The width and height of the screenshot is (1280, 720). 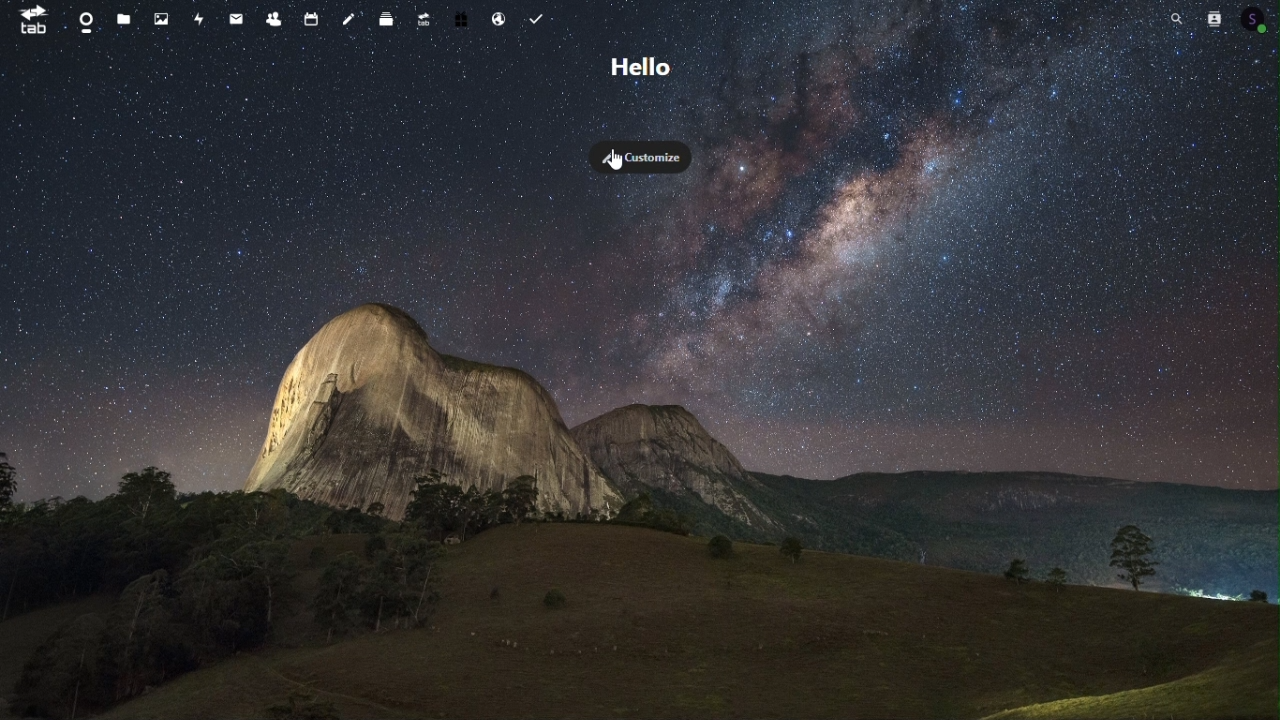 I want to click on Hello, so click(x=646, y=65).